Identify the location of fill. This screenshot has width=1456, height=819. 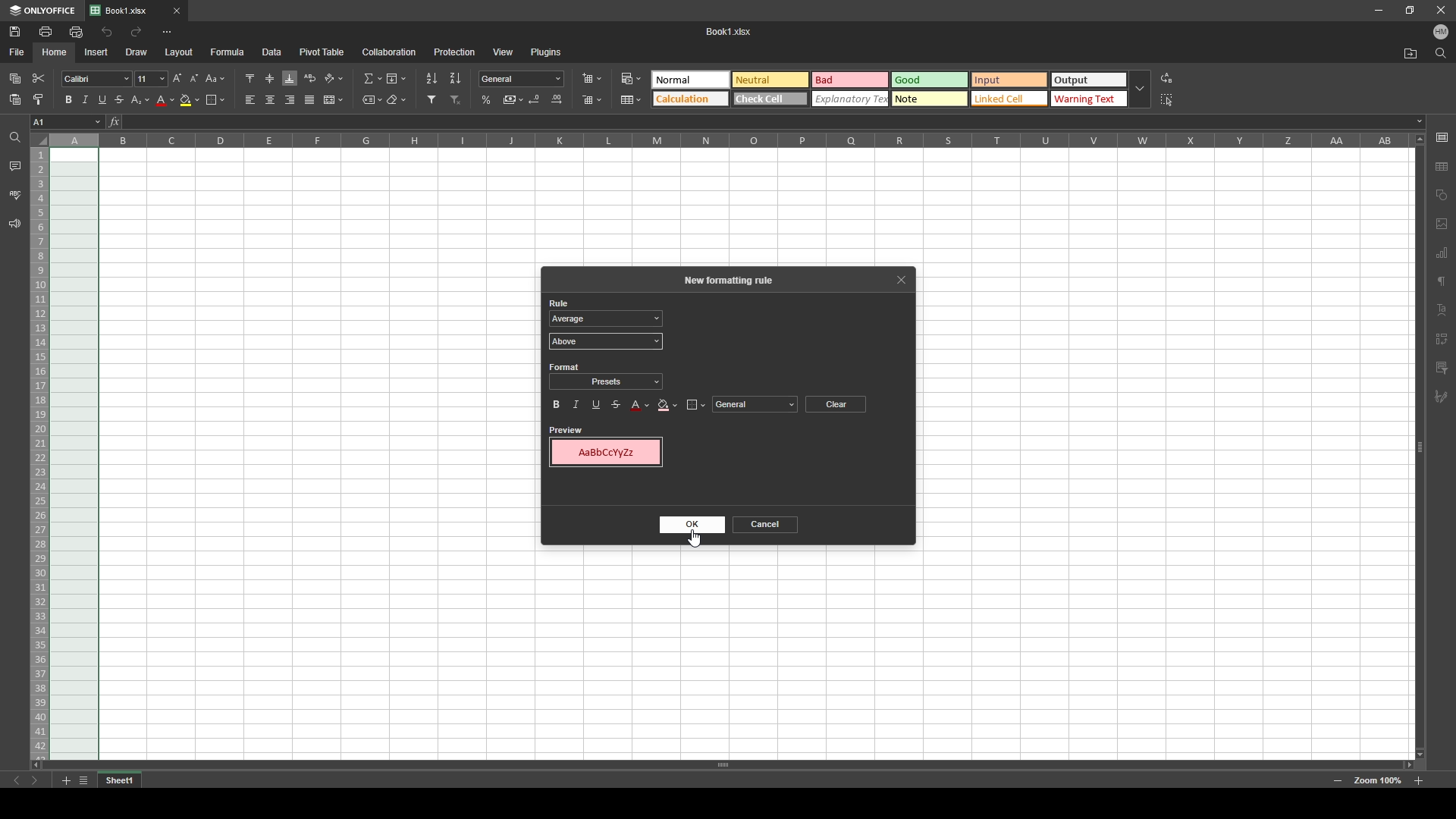
(395, 78).